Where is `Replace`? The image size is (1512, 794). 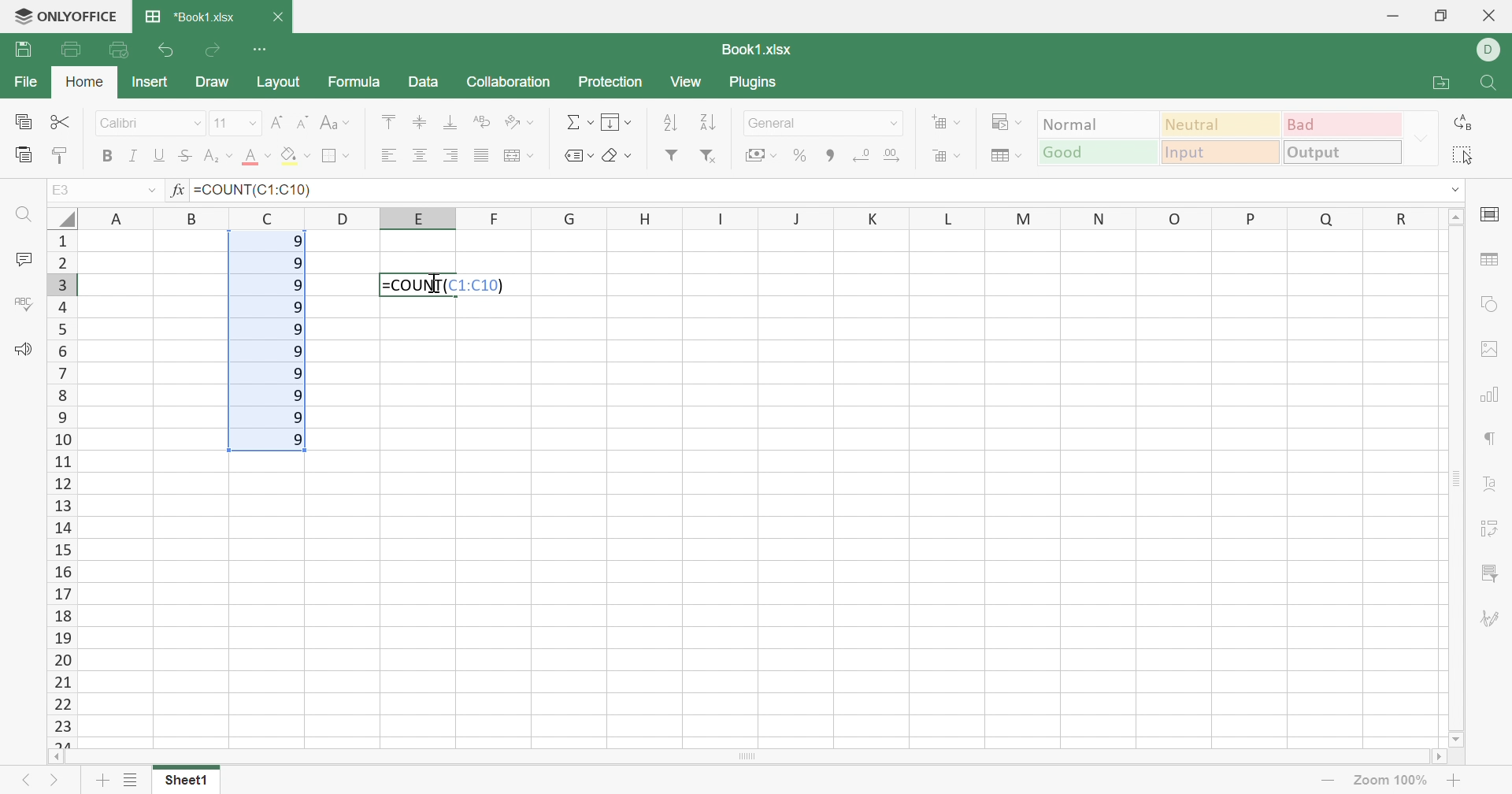 Replace is located at coordinates (1464, 124).